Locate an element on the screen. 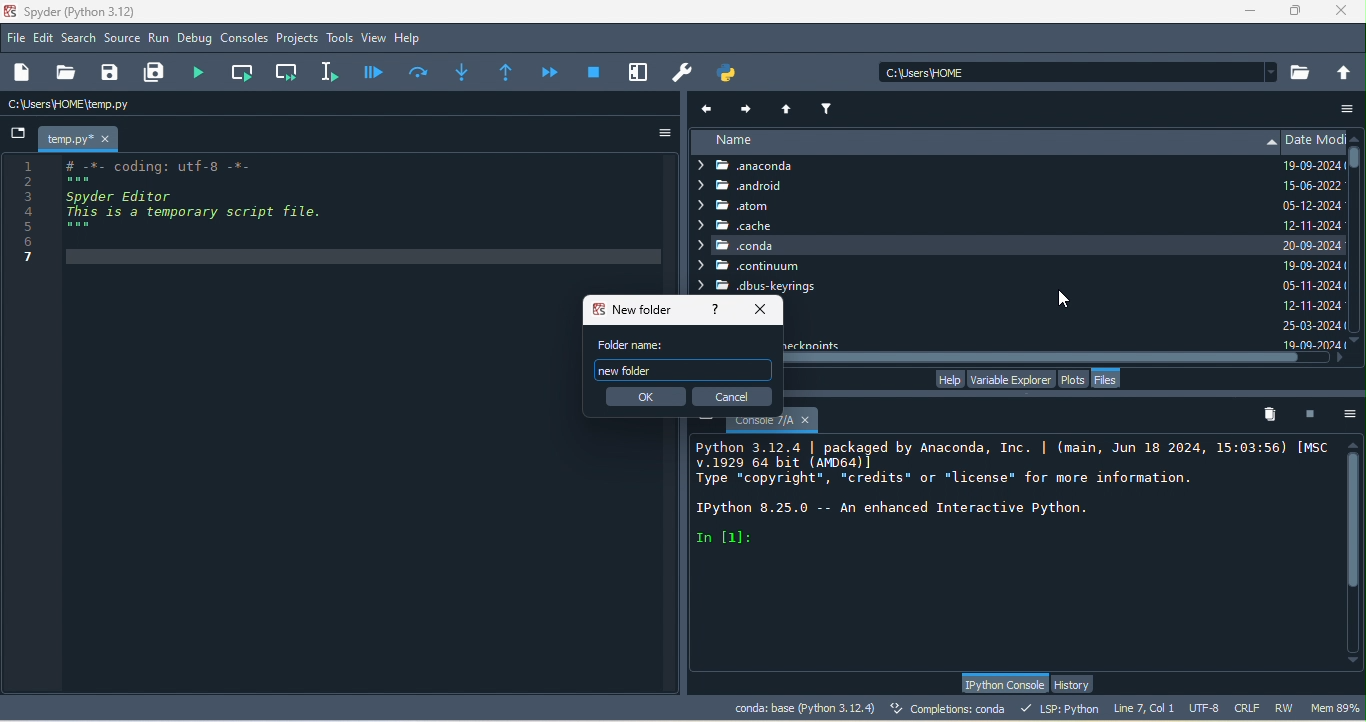  files is located at coordinates (1110, 379).